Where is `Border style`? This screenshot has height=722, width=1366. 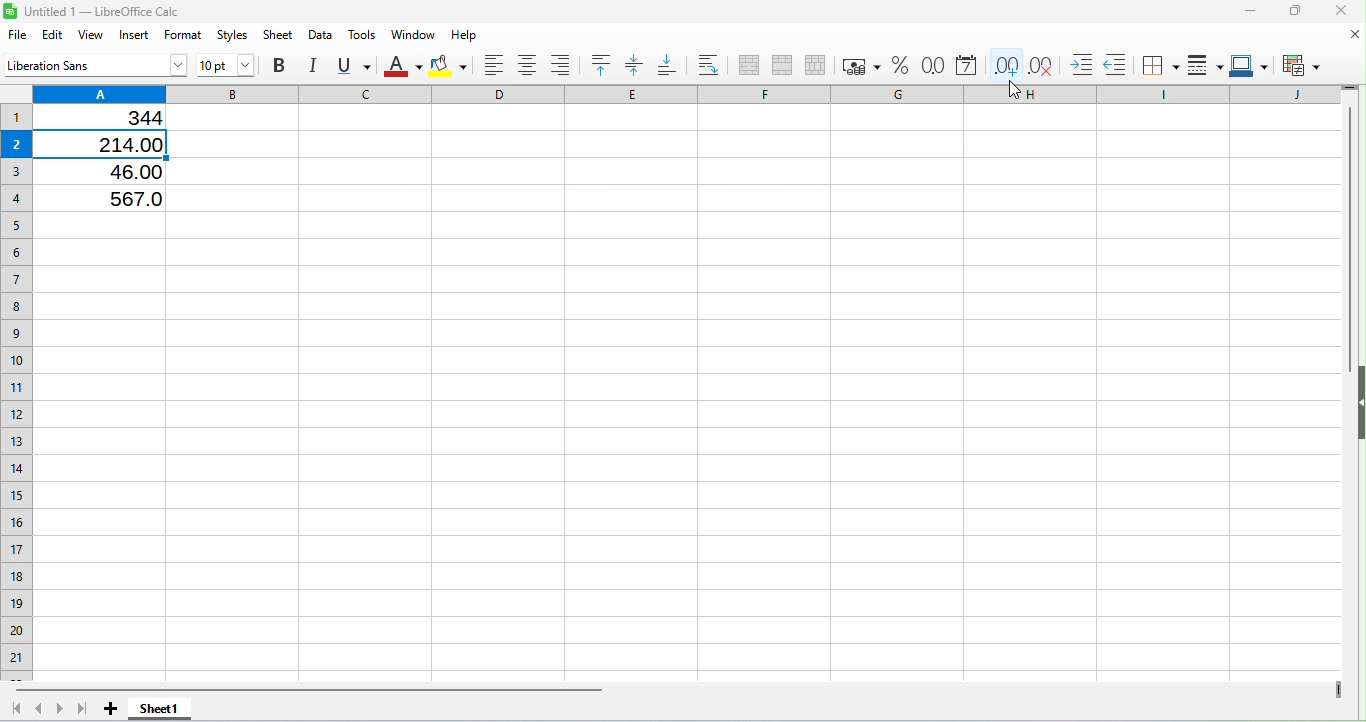 Border style is located at coordinates (1202, 64).